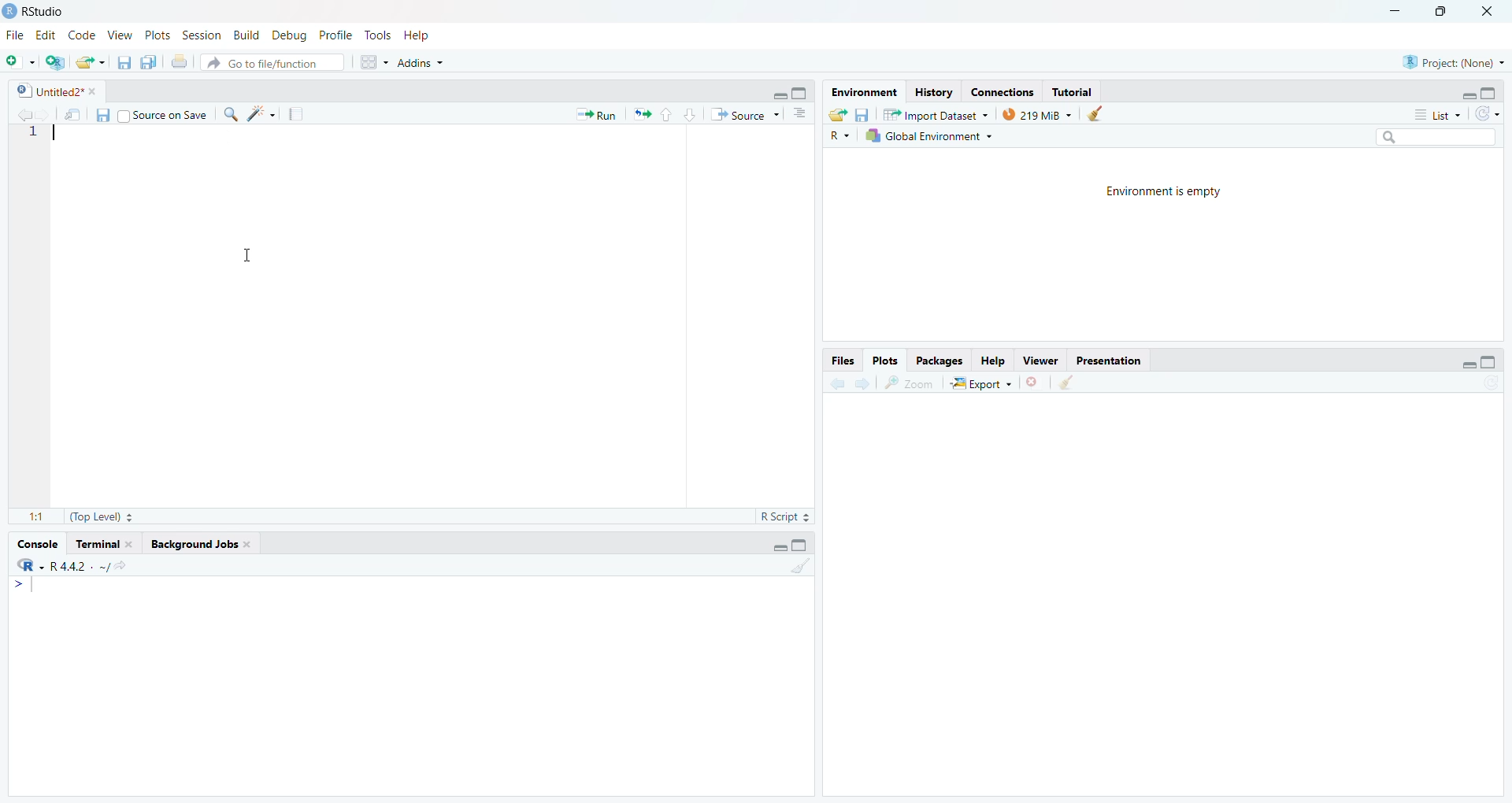 The height and width of the screenshot is (803, 1512). What do you see at coordinates (231, 114) in the screenshot?
I see `Find and Replace` at bounding box center [231, 114].